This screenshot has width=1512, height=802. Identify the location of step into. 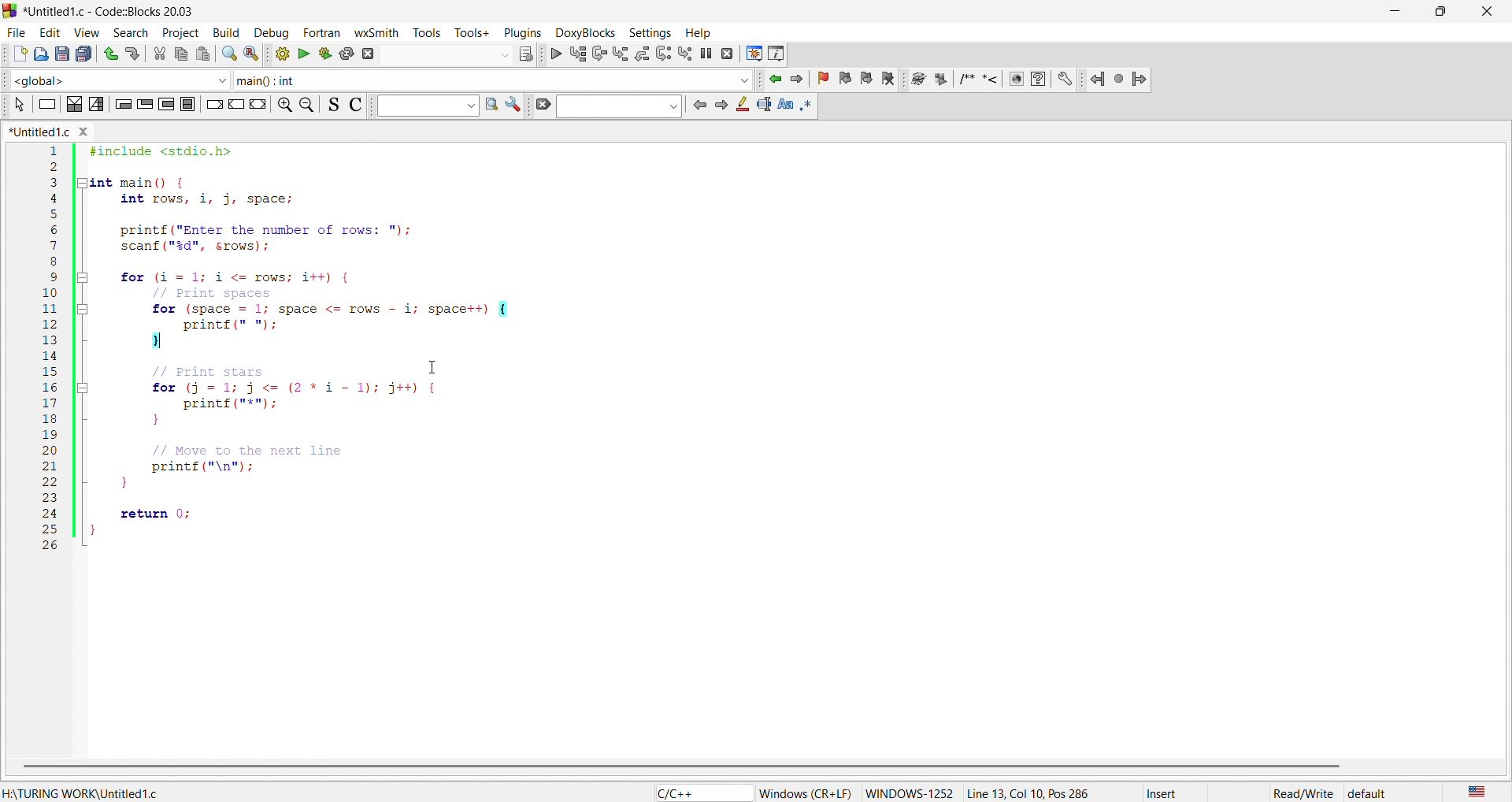
(621, 54).